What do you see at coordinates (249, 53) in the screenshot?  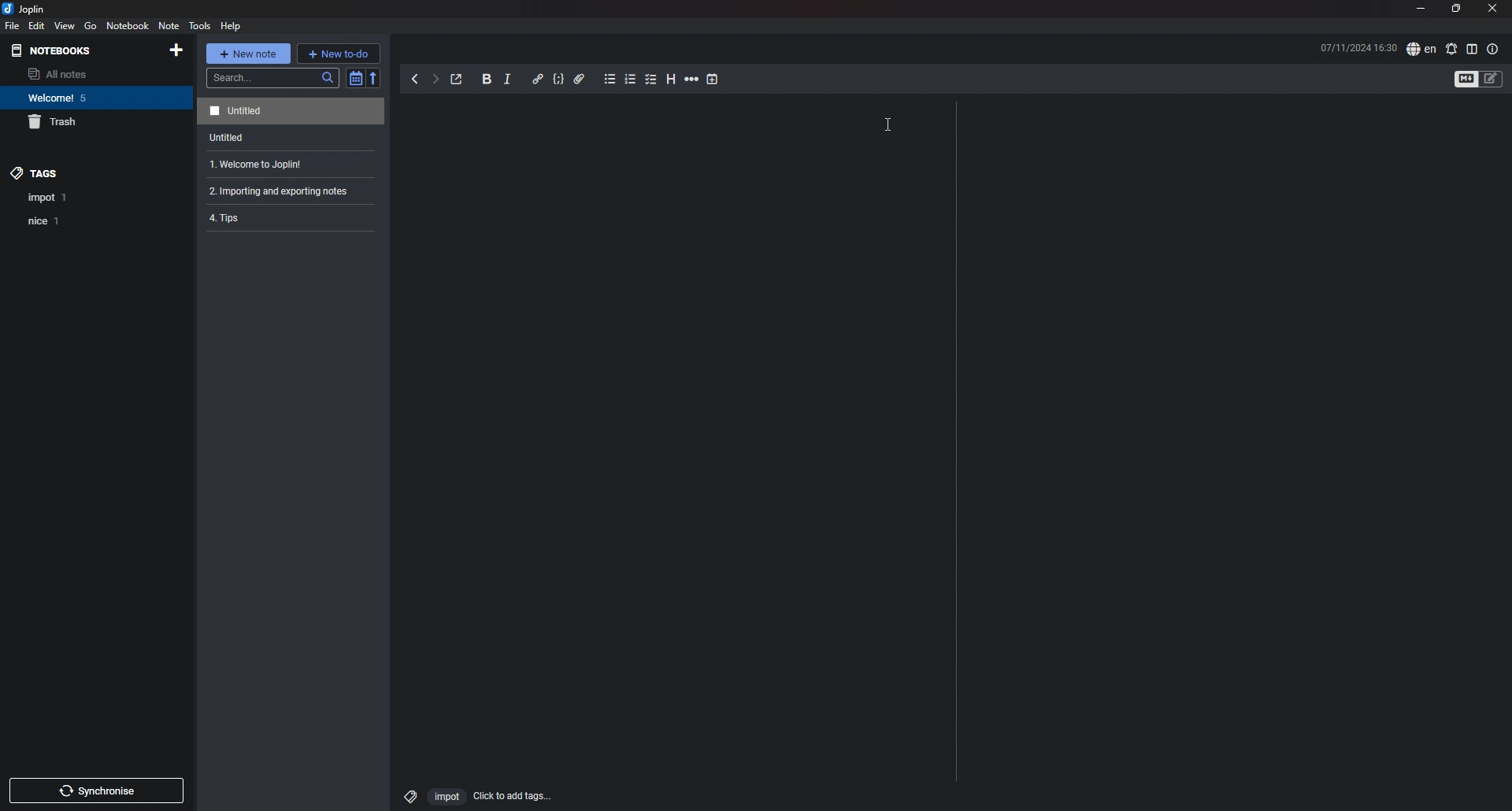 I see `new note` at bounding box center [249, 53].